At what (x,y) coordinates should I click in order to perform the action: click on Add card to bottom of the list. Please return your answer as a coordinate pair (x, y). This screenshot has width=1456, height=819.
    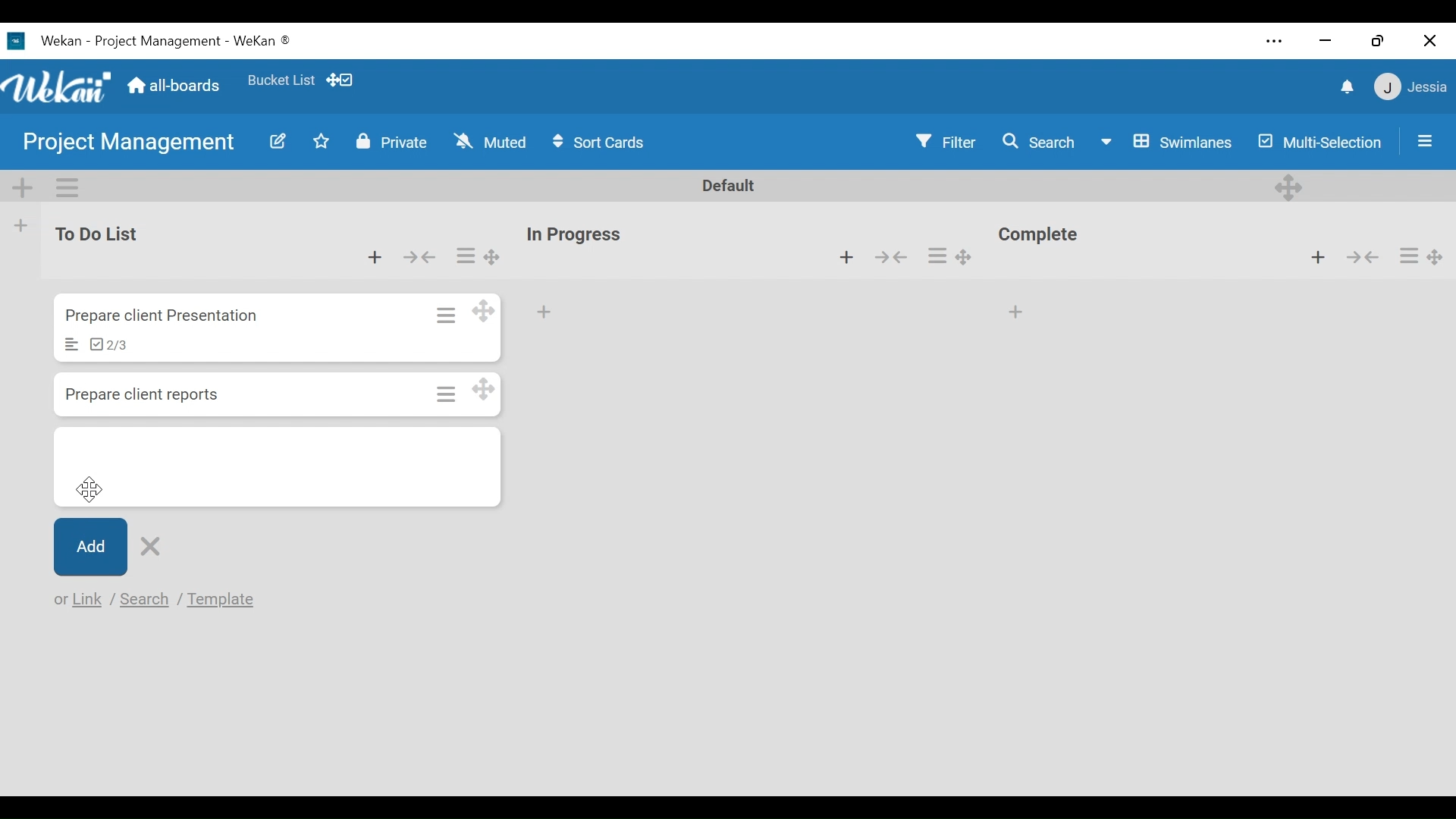
    Looking at the image, I should click on (278, 469).